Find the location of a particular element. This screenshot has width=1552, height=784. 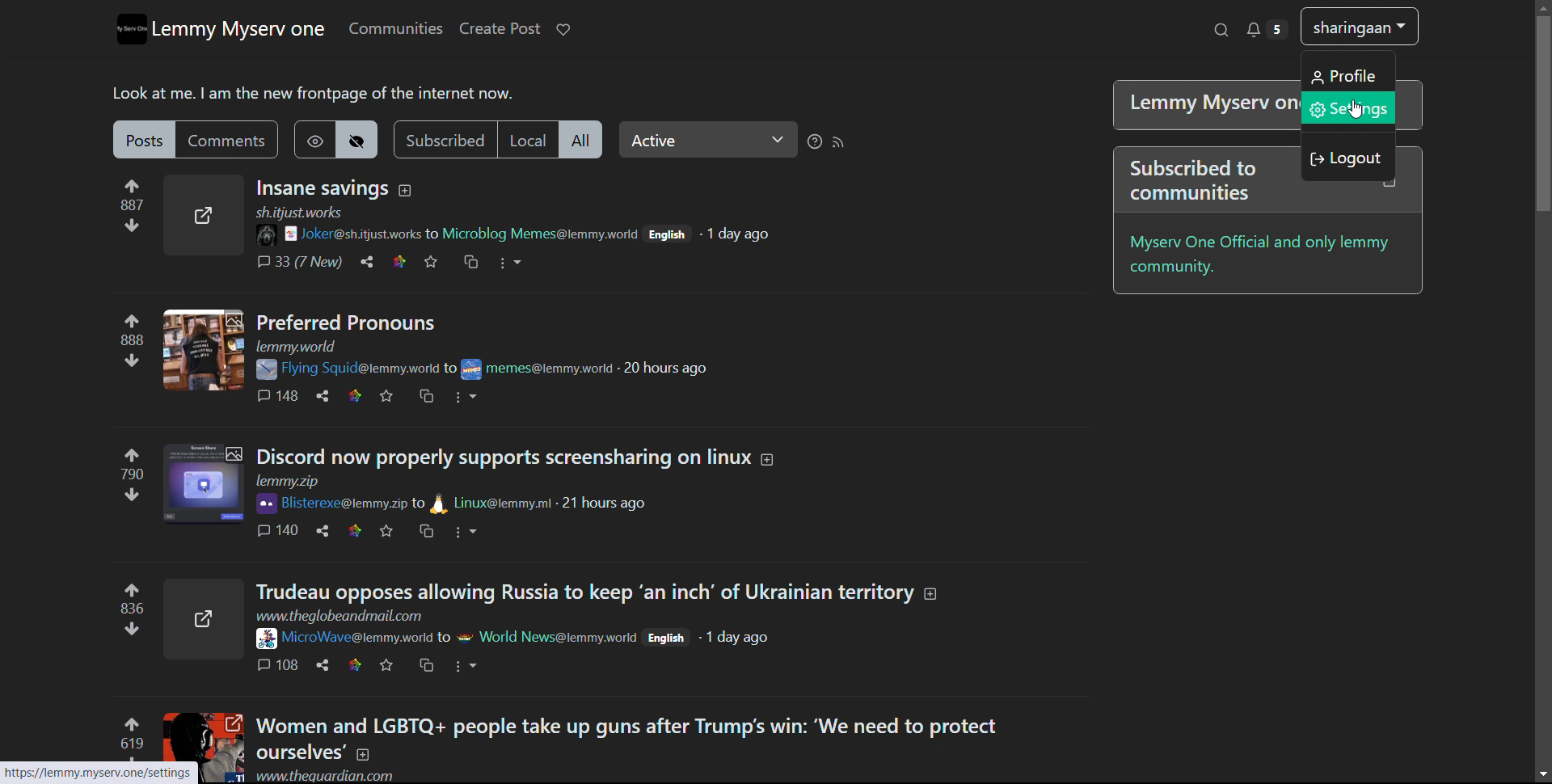

link is located at coordinates (354, 396).